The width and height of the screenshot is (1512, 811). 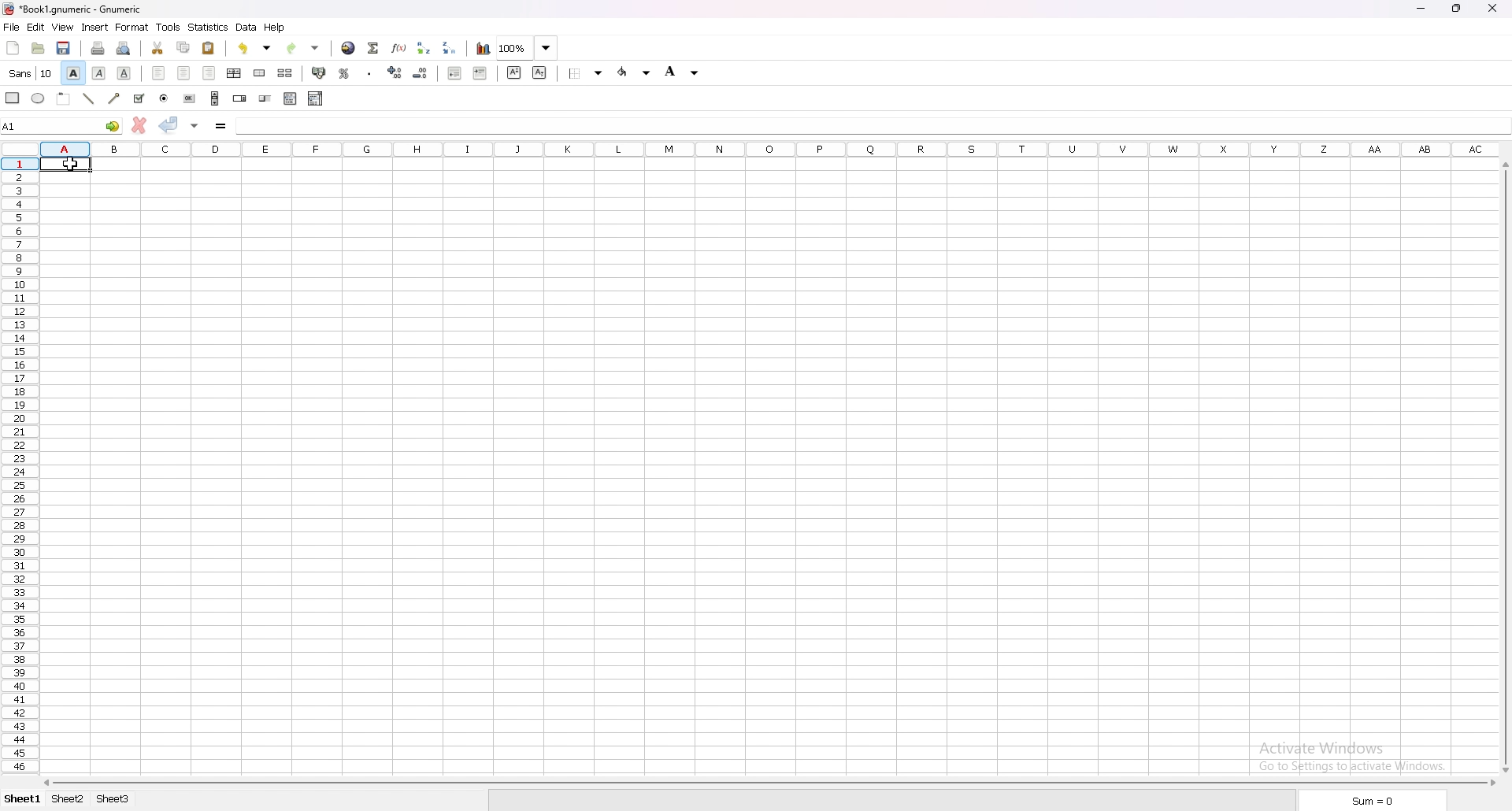 I want to click on view, so click(x=62, y=27).